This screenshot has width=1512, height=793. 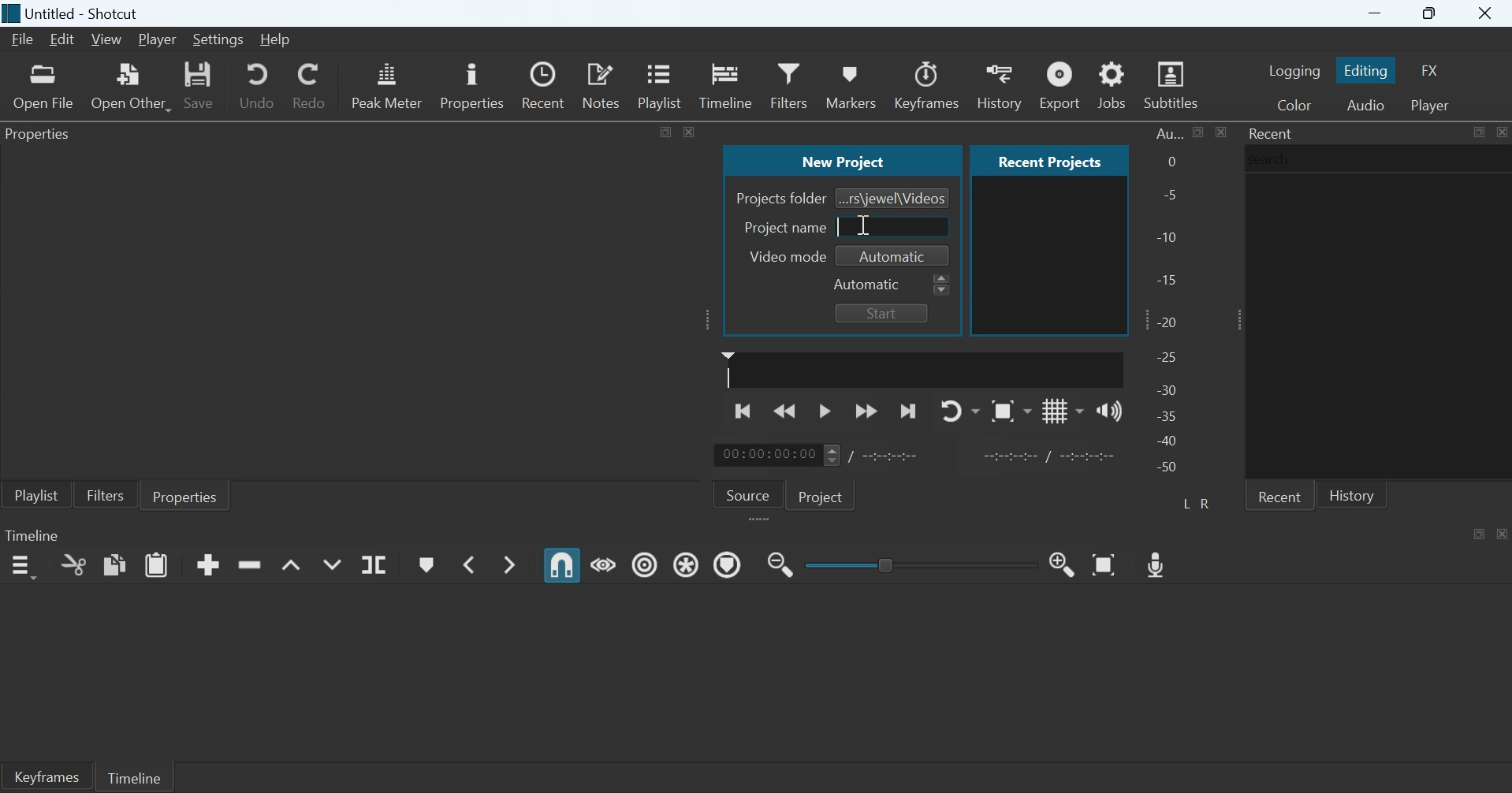 What do you see at coordinates (667, 130) in the screenshot?
I see `Maximize` at bounding box center [667, 130].